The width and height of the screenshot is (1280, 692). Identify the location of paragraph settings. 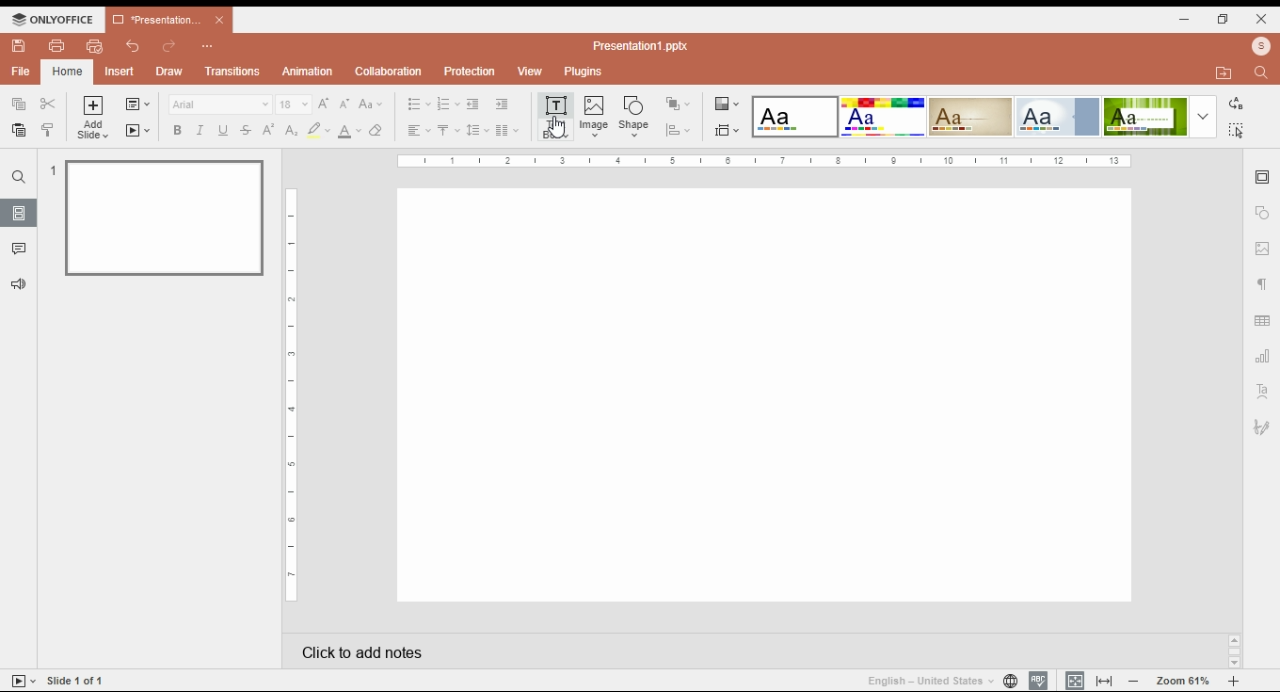
(1261, 285).